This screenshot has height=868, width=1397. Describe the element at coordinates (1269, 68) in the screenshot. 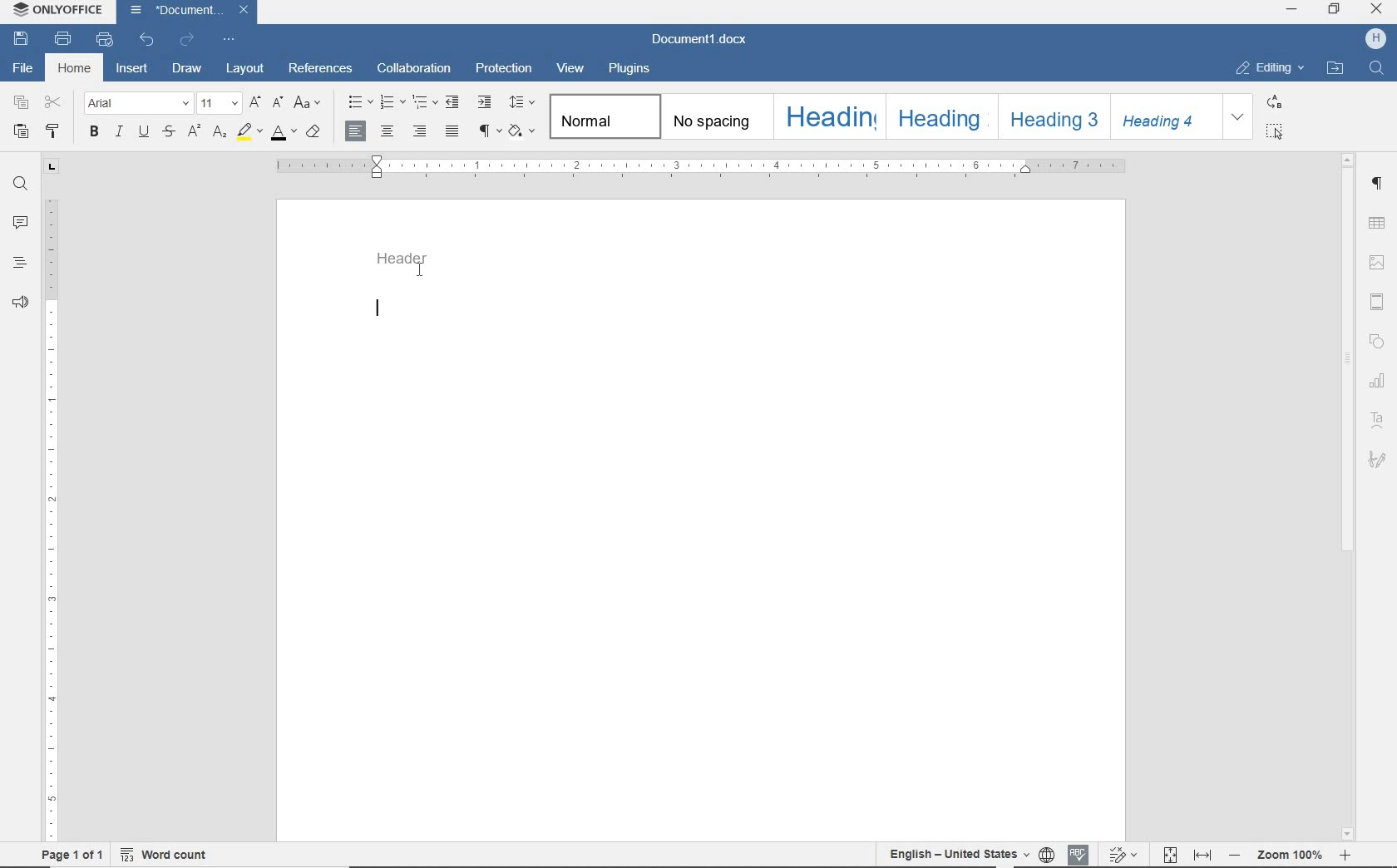

I see `EDITING` at that location.